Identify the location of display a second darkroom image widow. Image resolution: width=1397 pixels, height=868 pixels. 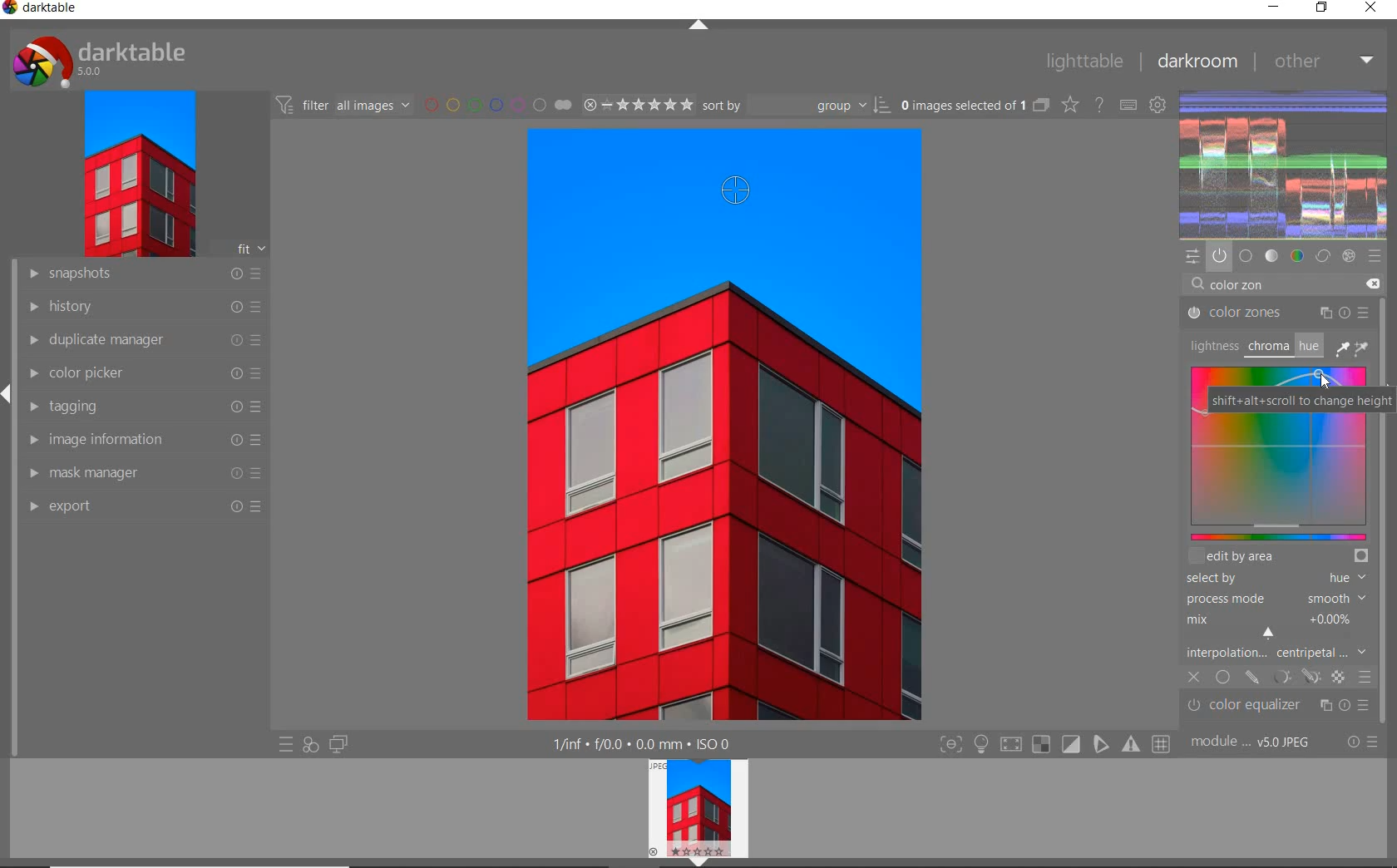
(338, 742).